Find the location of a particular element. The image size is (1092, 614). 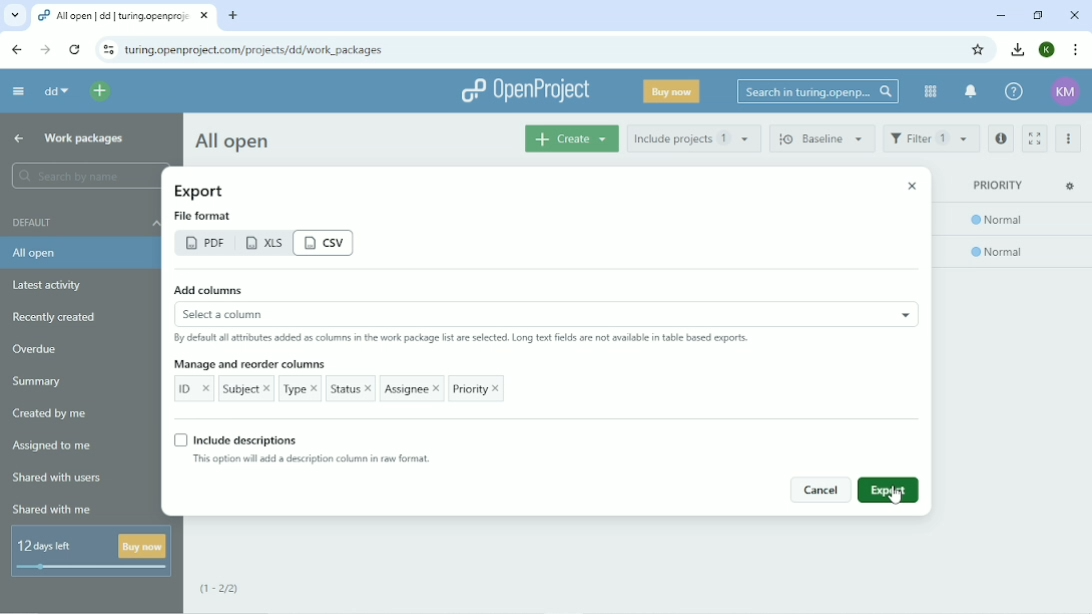

By default all attributes added as columns in the work package list are selected. Long text fields are not available in the table based reports. is located at coordinates (460, 339).